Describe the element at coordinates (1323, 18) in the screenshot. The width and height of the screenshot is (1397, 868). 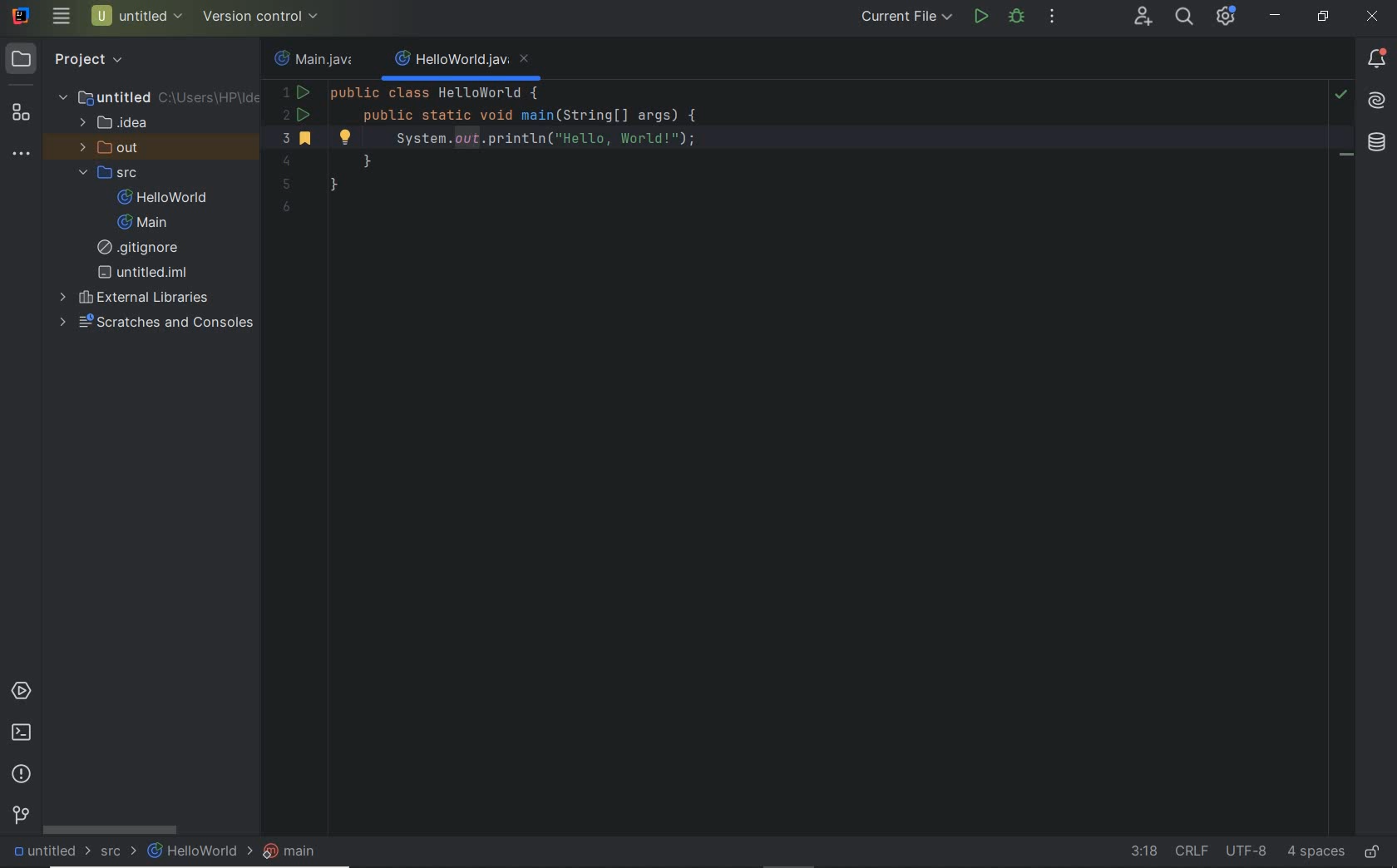
I see `restore down` at that location.